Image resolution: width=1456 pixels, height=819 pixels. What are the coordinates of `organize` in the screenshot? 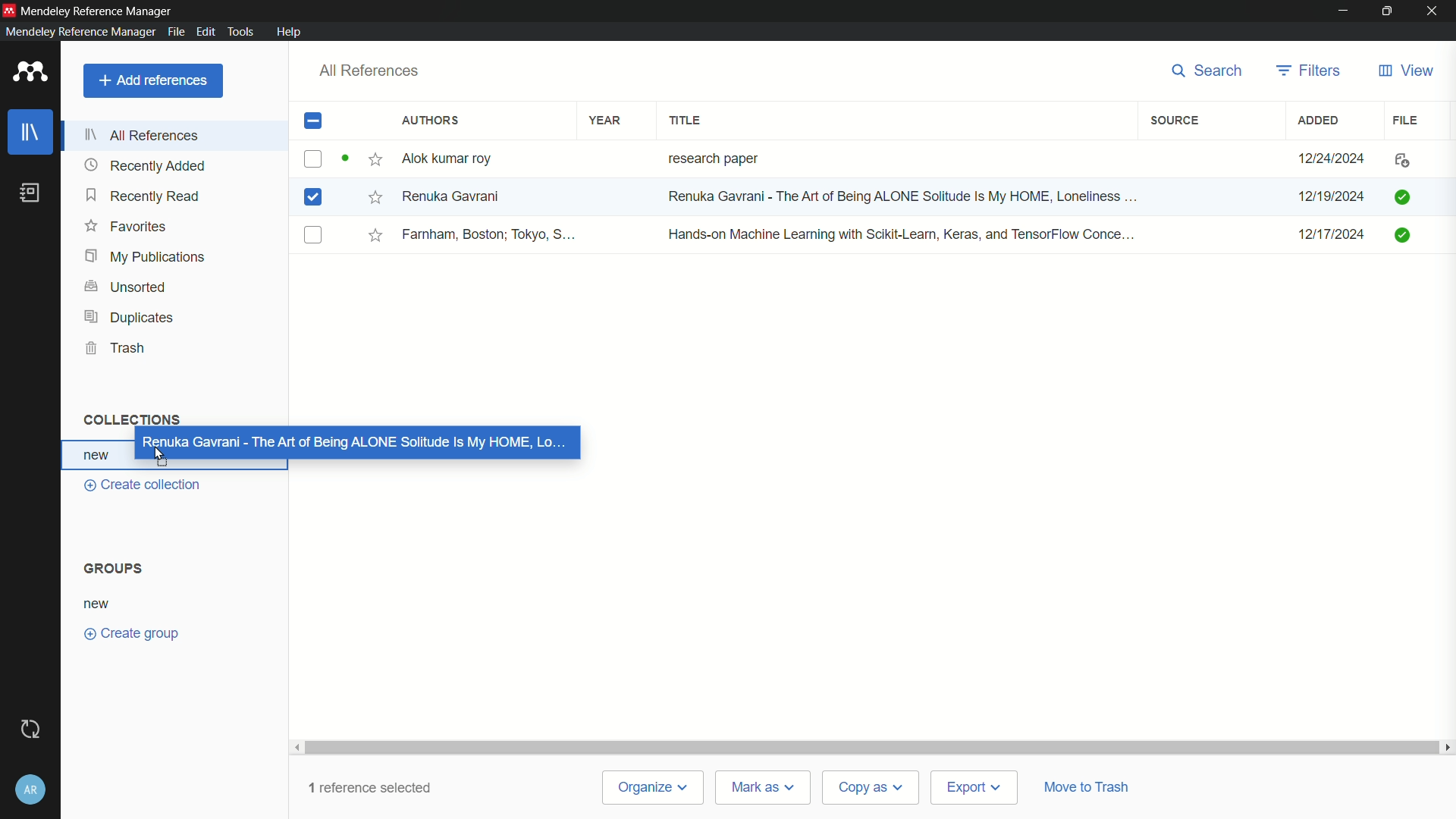 It's located at (654, 788).